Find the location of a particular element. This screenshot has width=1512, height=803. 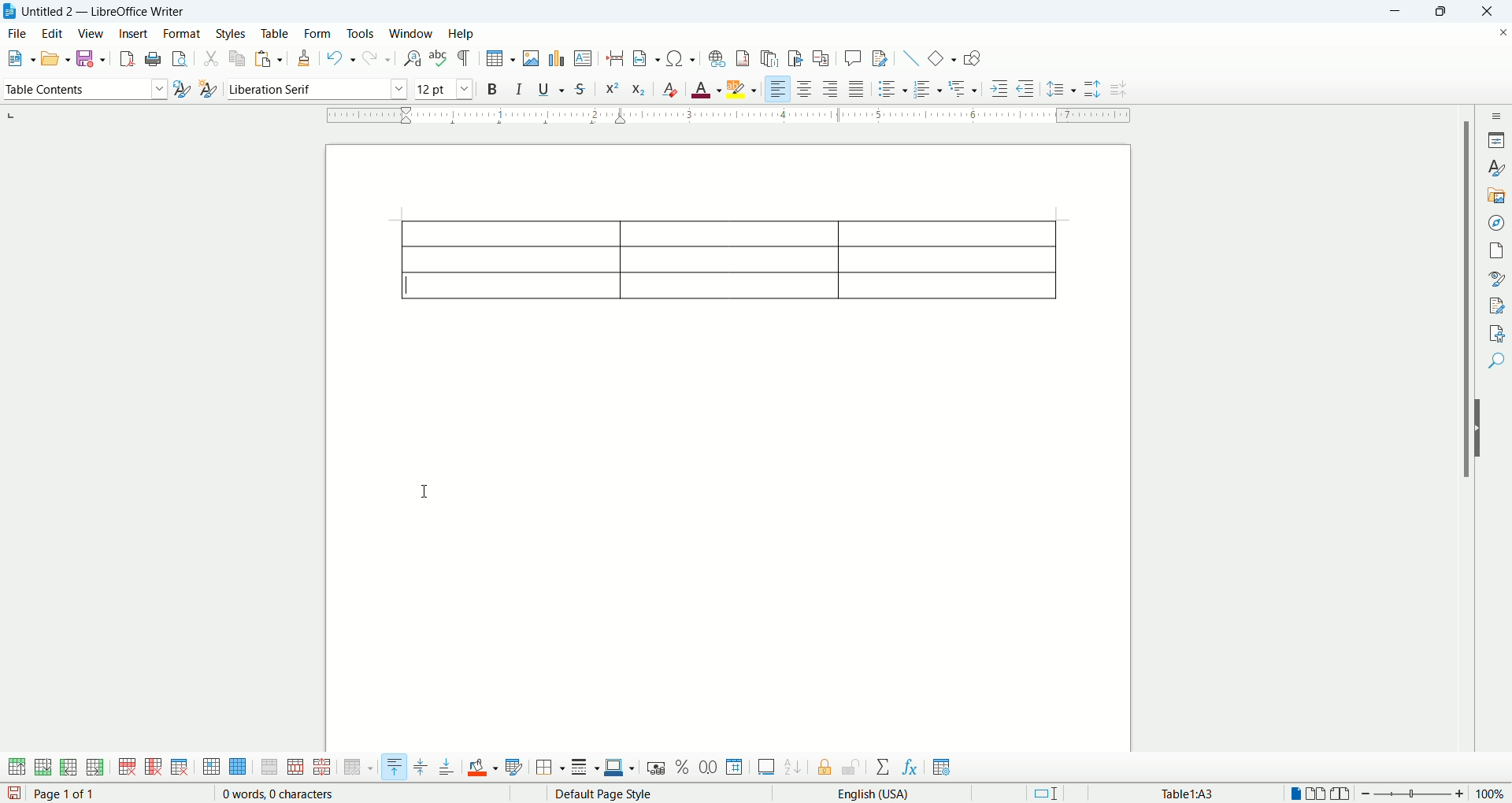

insert comment is located at coordinates (583, 58).